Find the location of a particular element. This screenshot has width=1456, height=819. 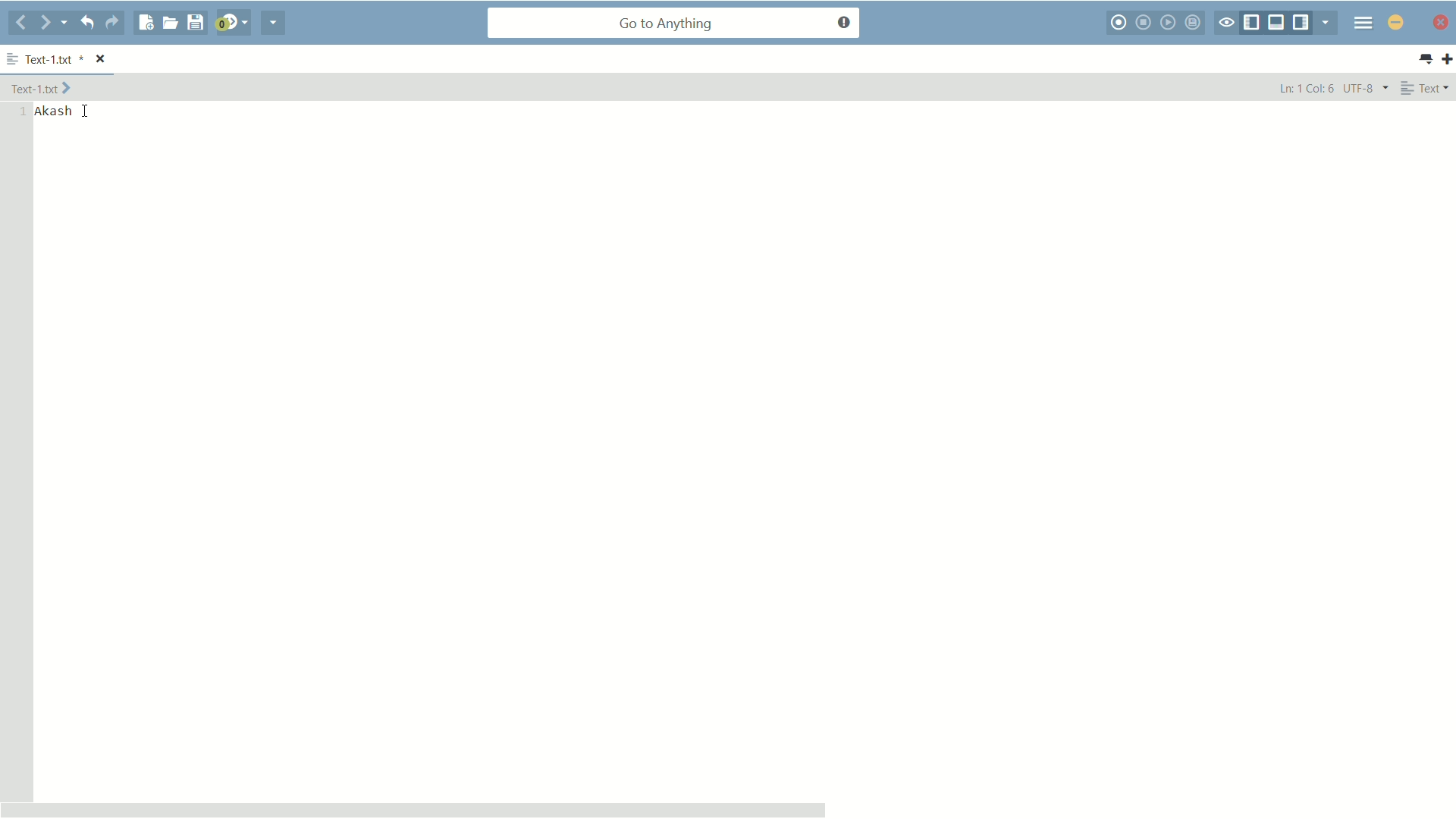

hide/show right panel is located at coordinates (1303, 23).